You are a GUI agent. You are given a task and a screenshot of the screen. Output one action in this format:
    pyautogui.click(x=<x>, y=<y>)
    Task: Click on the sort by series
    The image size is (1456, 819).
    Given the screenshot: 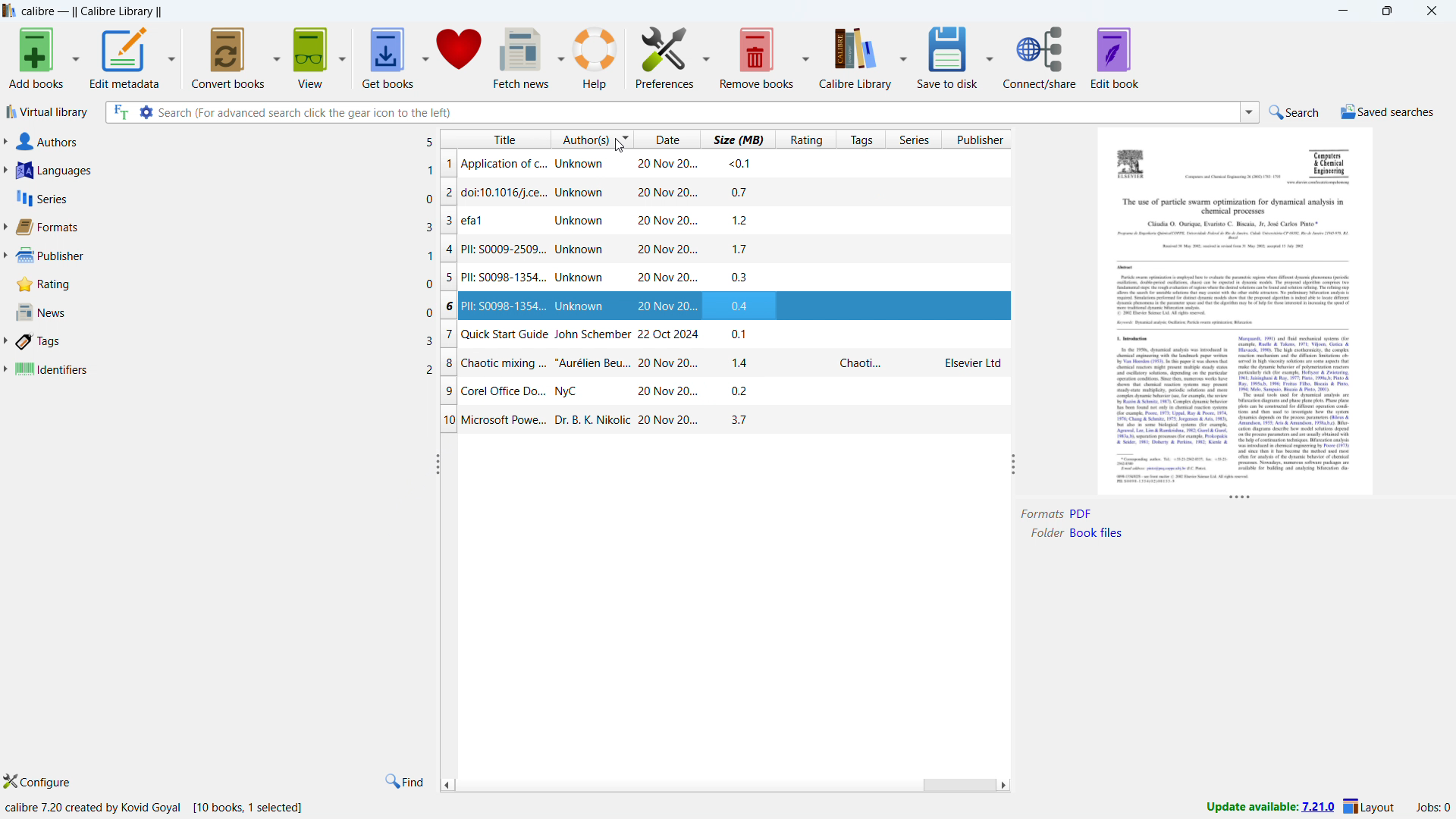 What is the action you would take?
    pyautogui.click(x=913, y=139)
    